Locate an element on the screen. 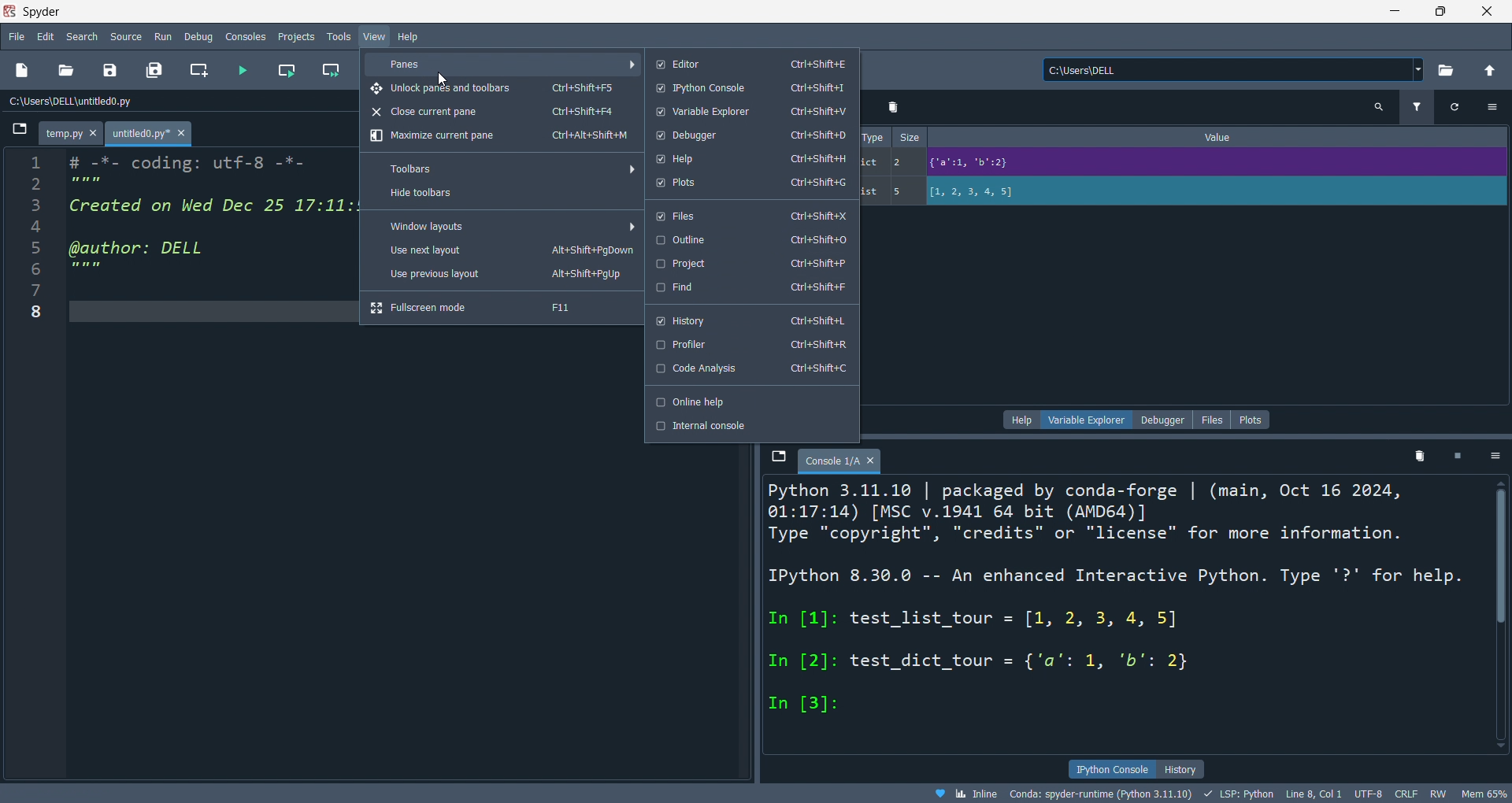 This screenshot has height=803, width=1512. refresh is located at coordinates (1454, 108).